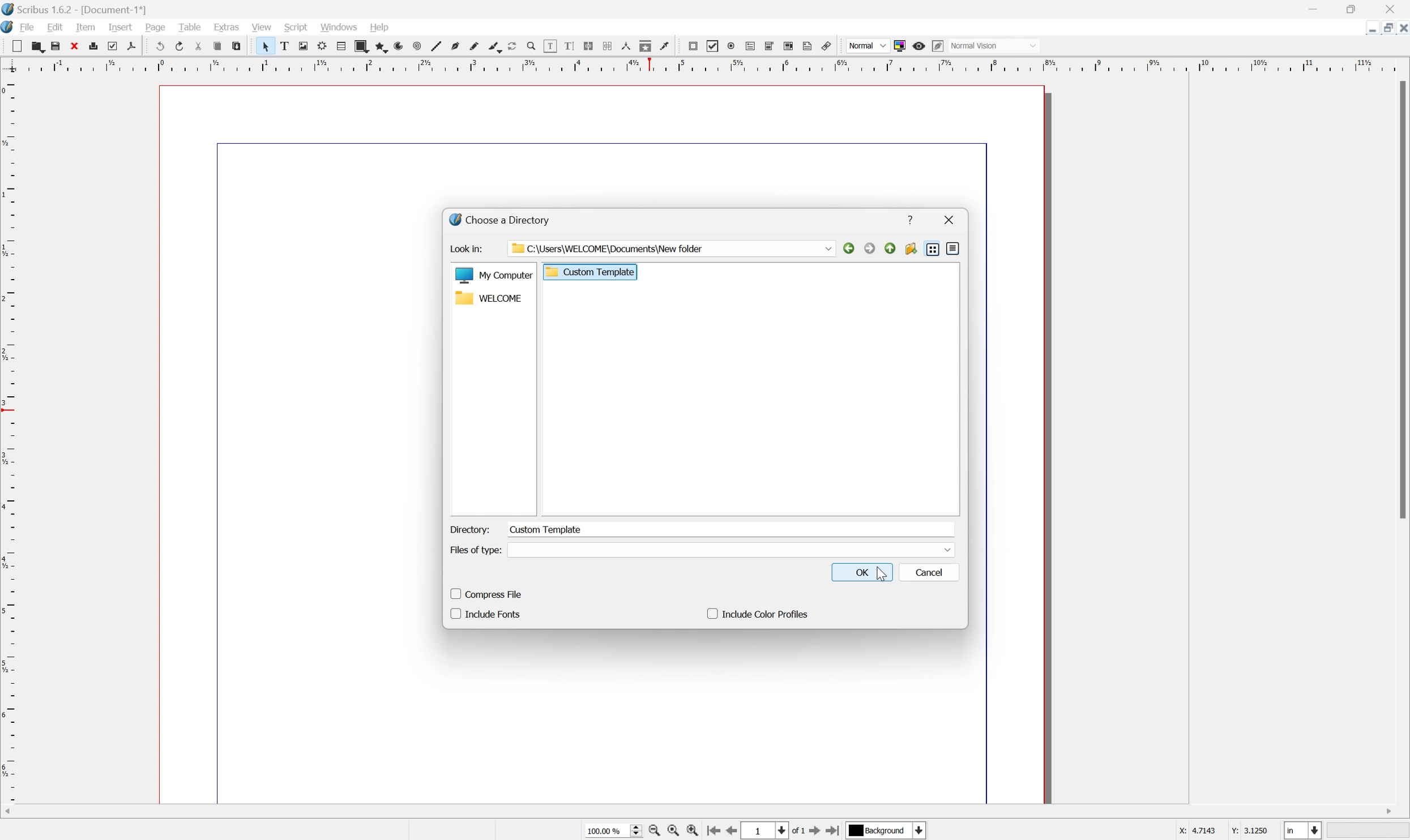  What do you see at coordinates (73, 45) in the screenshot?
I see `close` at bounding box center [73, 45].